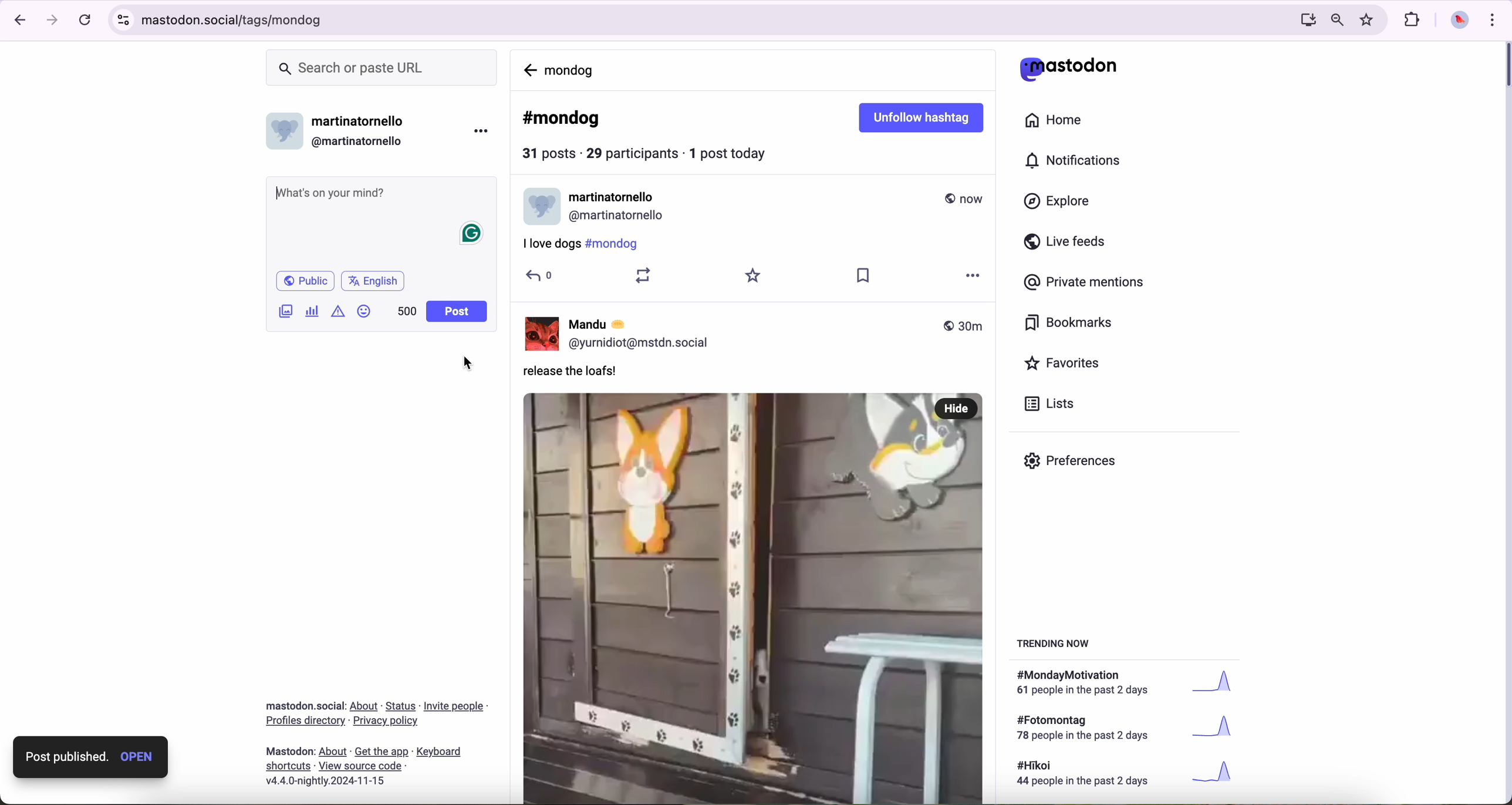 The height and width of the screenshot is (805, 1512). I want to click on gif, so click(753, 492).